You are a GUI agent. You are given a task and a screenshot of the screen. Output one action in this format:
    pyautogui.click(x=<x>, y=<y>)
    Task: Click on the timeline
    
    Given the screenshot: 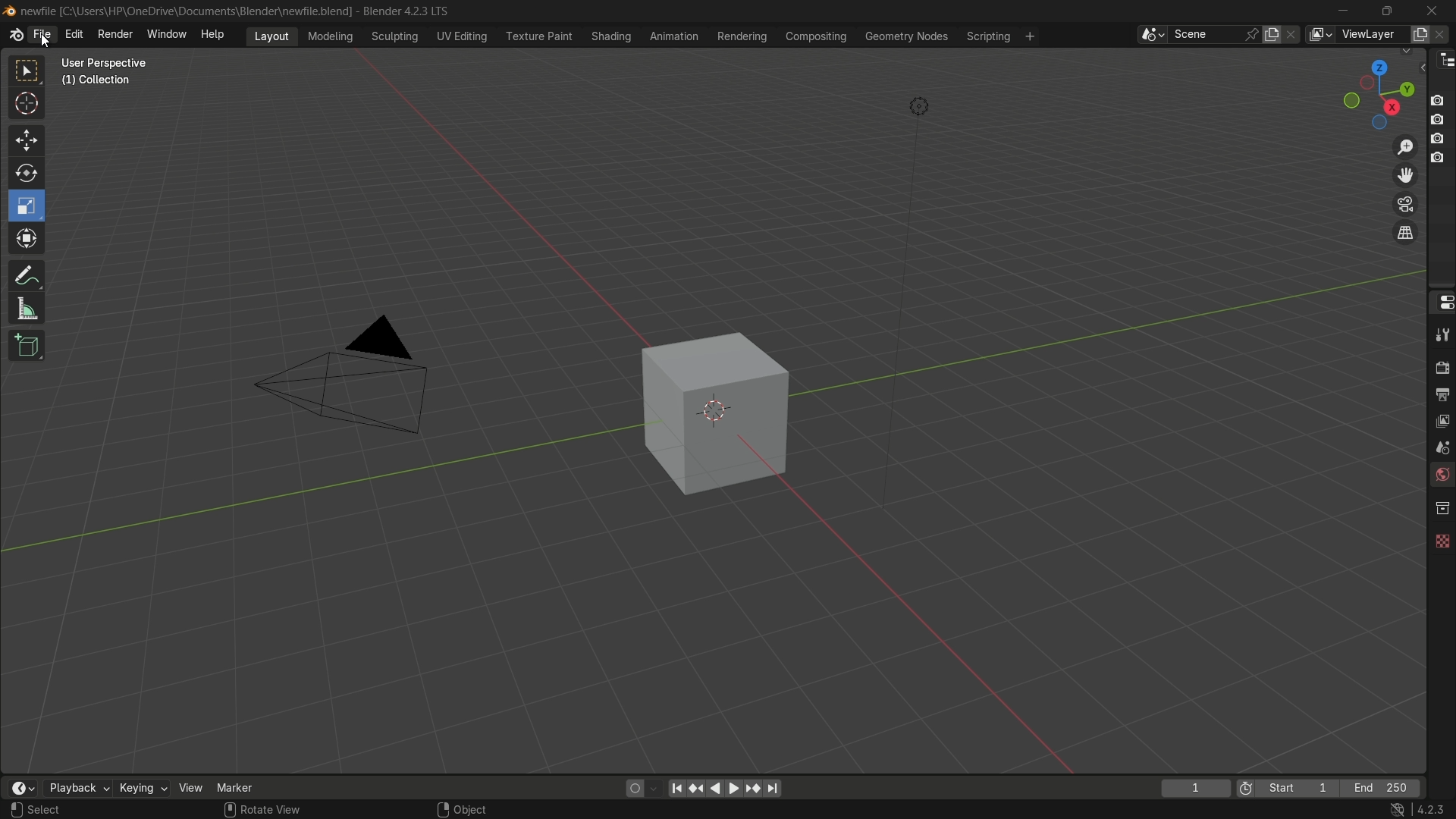 What is the action you would take?
    pyautogui.click(x=22, y=788)
    